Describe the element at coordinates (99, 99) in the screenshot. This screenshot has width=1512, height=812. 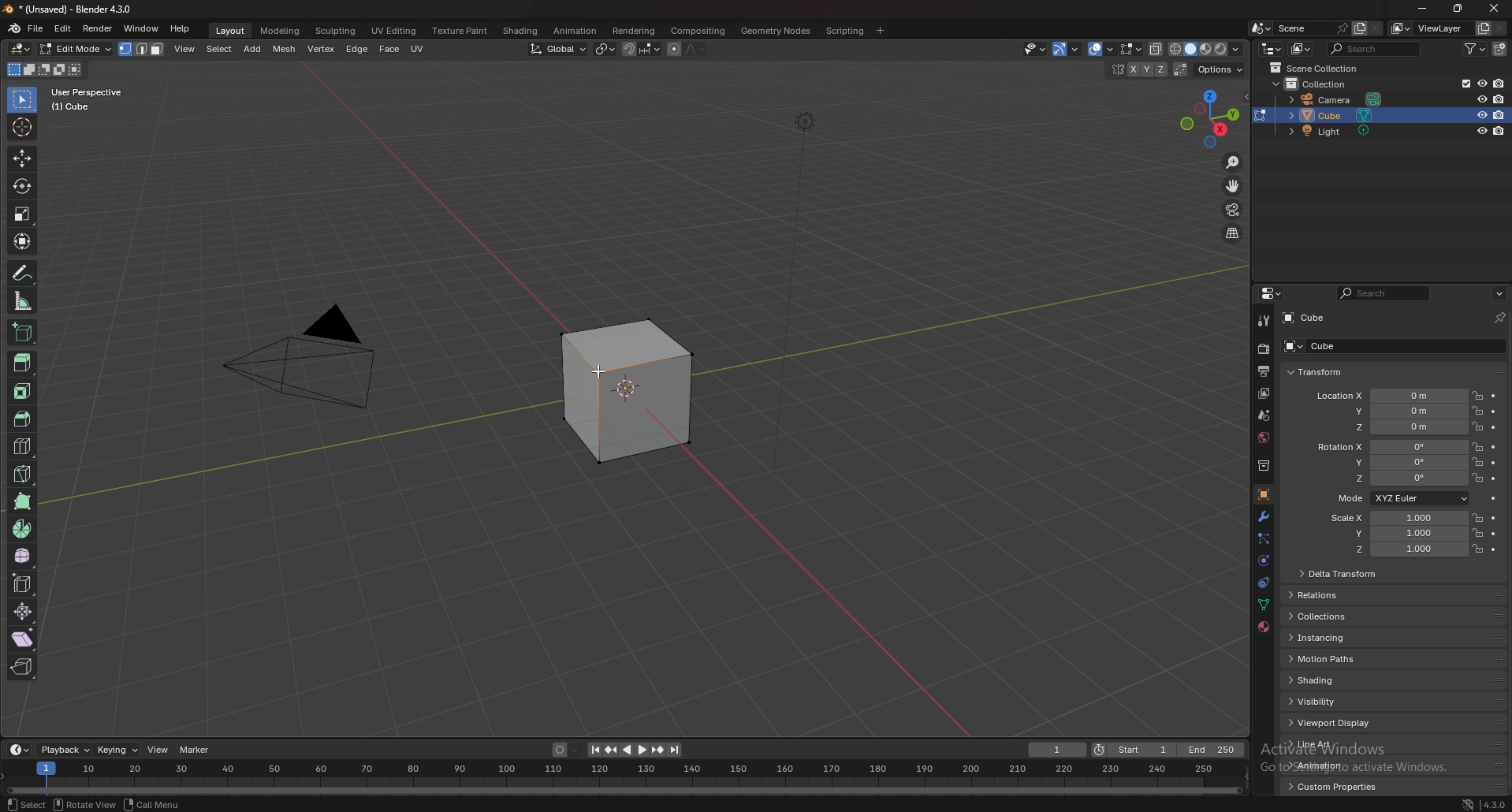
I see `user perspective` at that location.